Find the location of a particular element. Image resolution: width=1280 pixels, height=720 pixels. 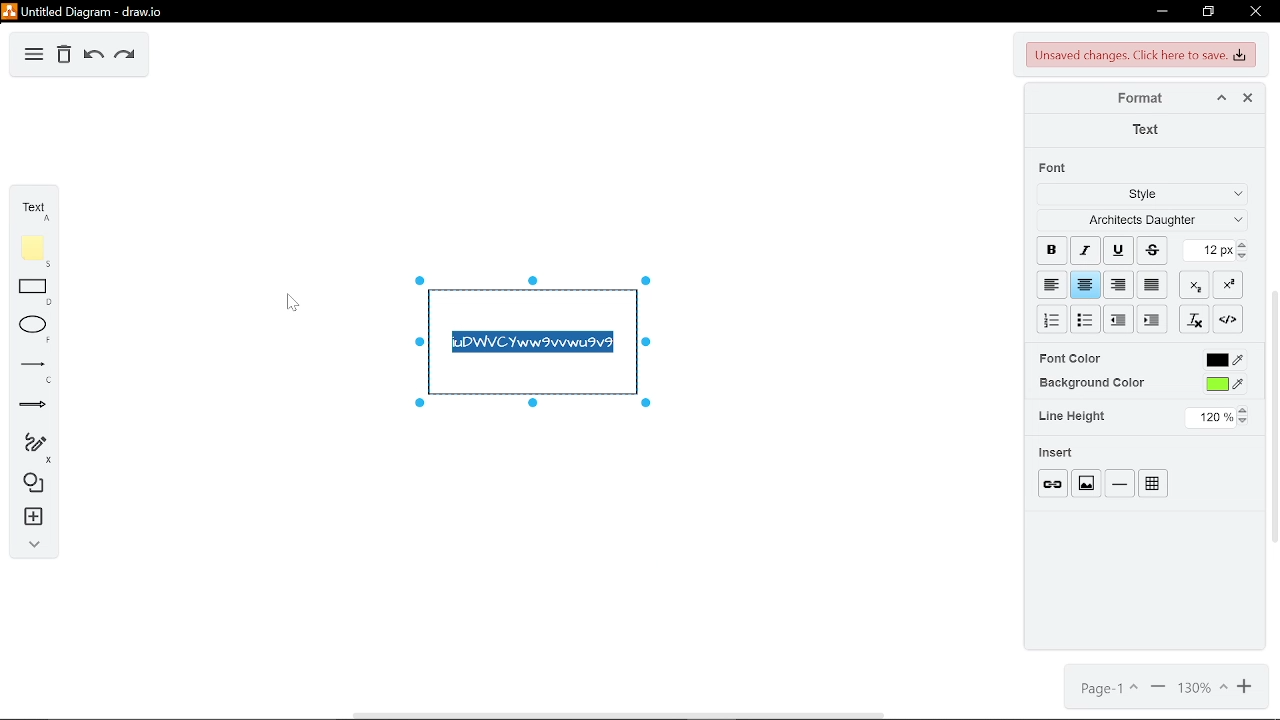

insert is located at coordinates (29, 520).